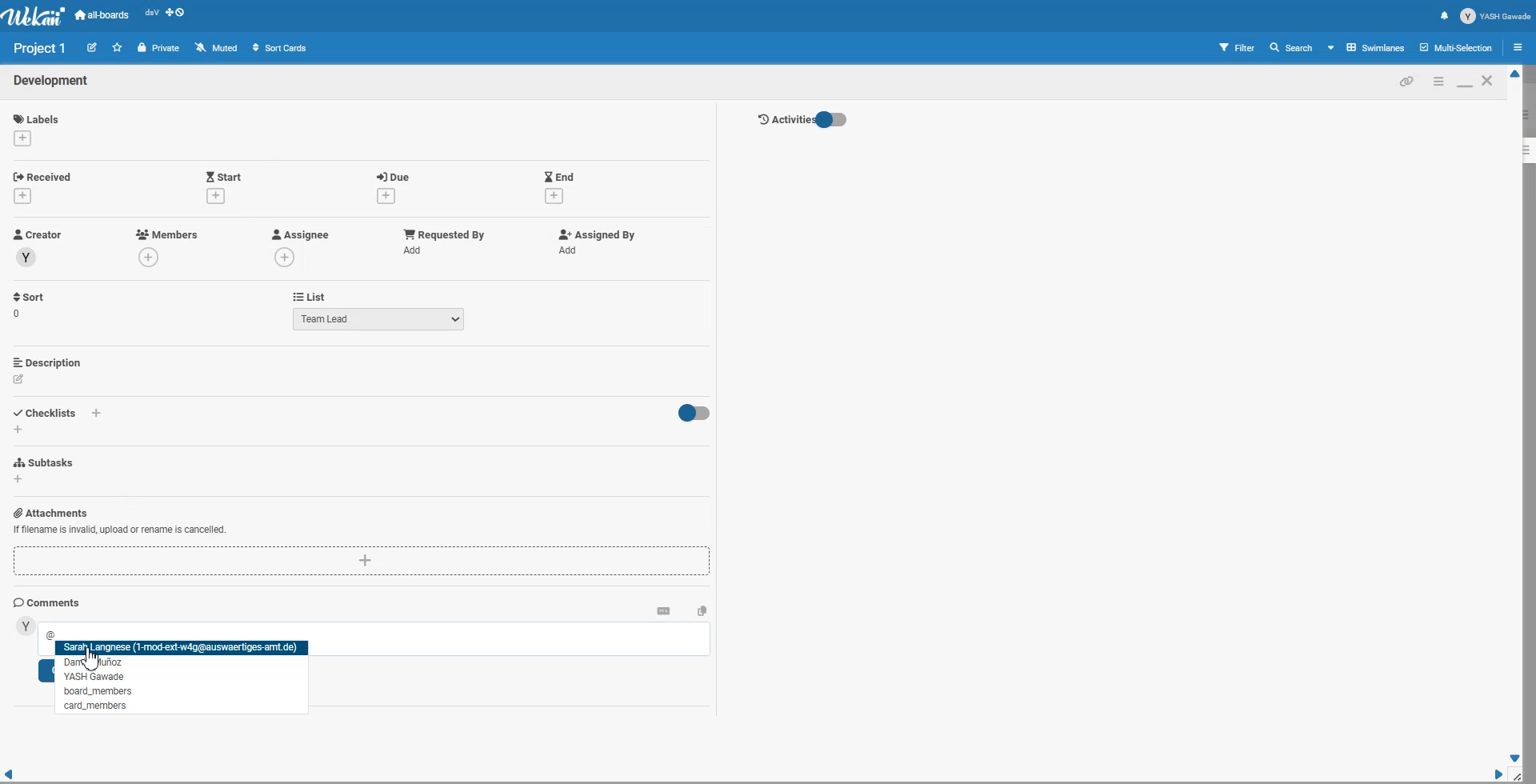 This screenshot has width=1536, height=784. Describe the element at coordinates (1444, 15) in the screenshot. I see `Notification` at that location.